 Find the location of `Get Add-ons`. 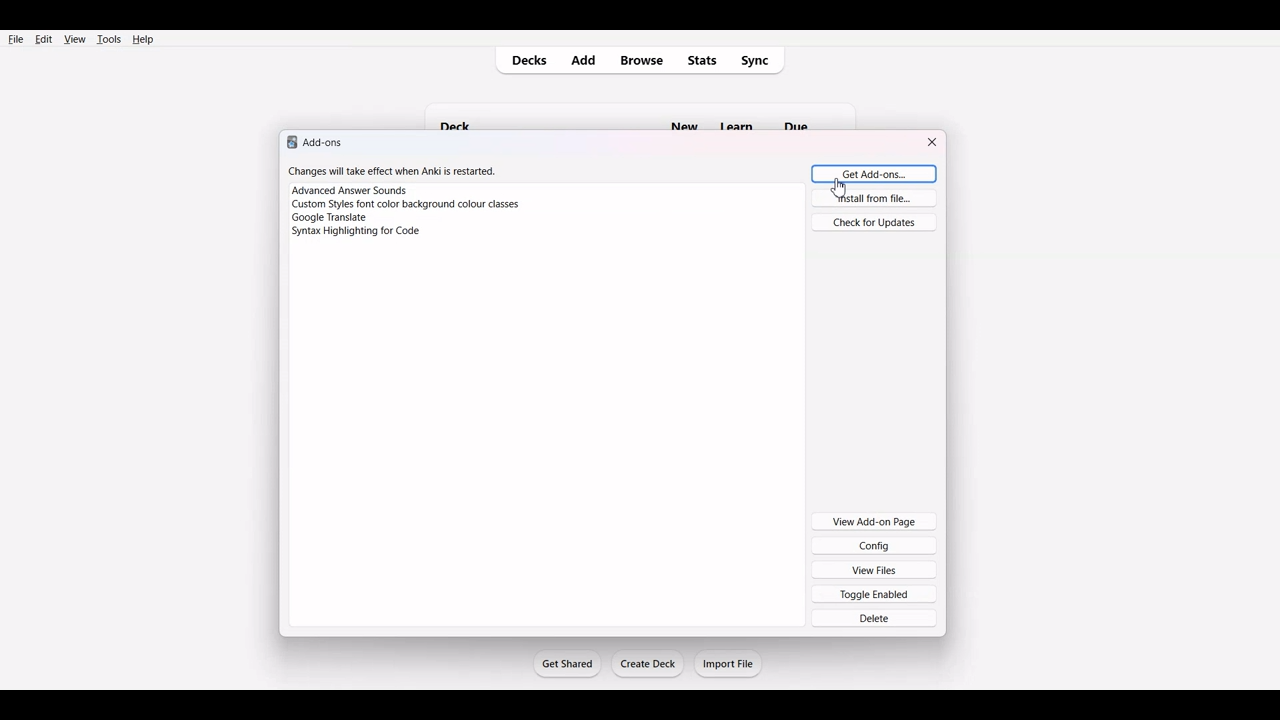

Get Add-ons is located at coordinates (870, 173).